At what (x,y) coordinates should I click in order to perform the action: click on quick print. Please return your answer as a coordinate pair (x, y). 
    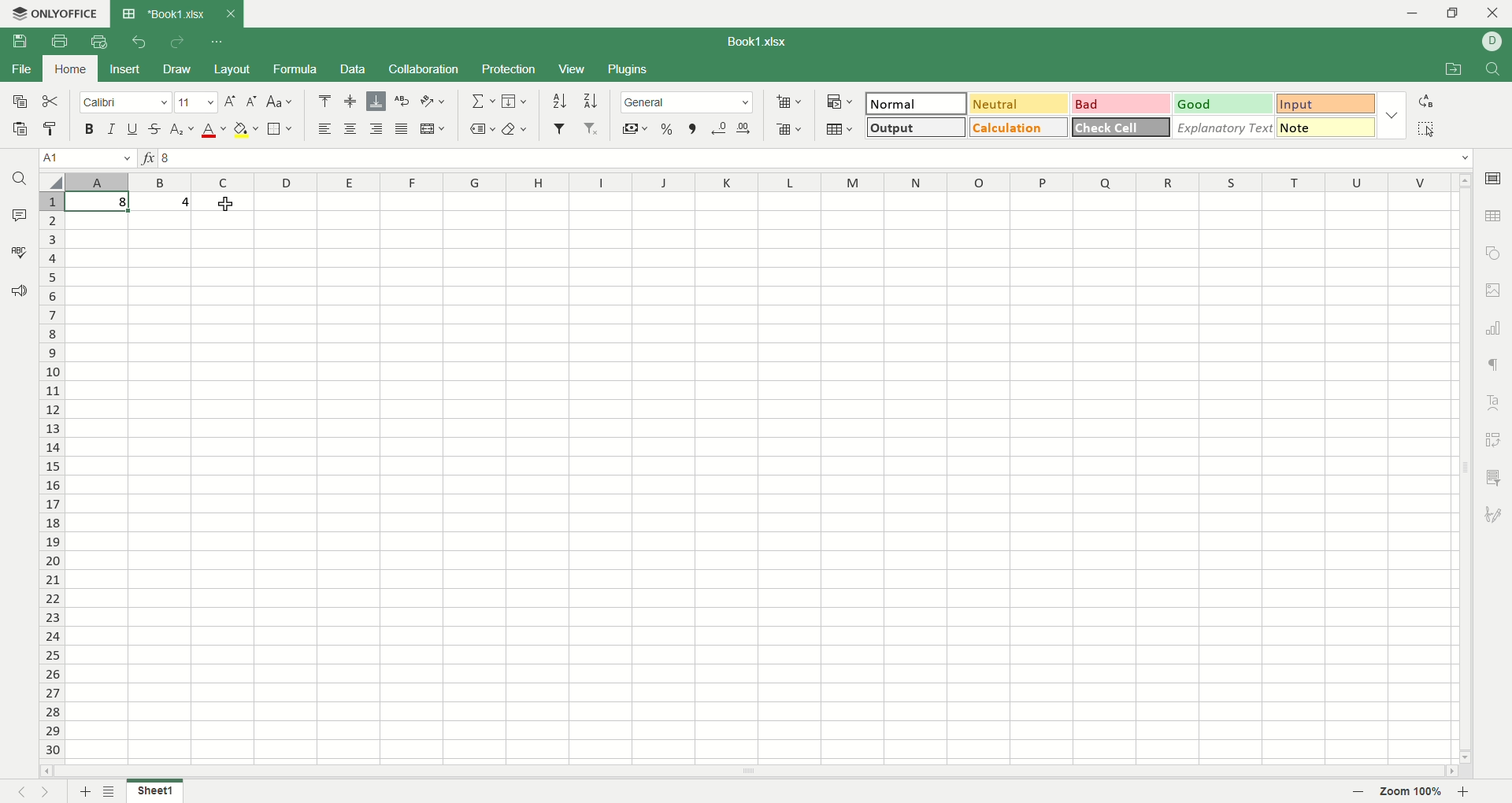
    Looking at the image, I should click on (97, 42).